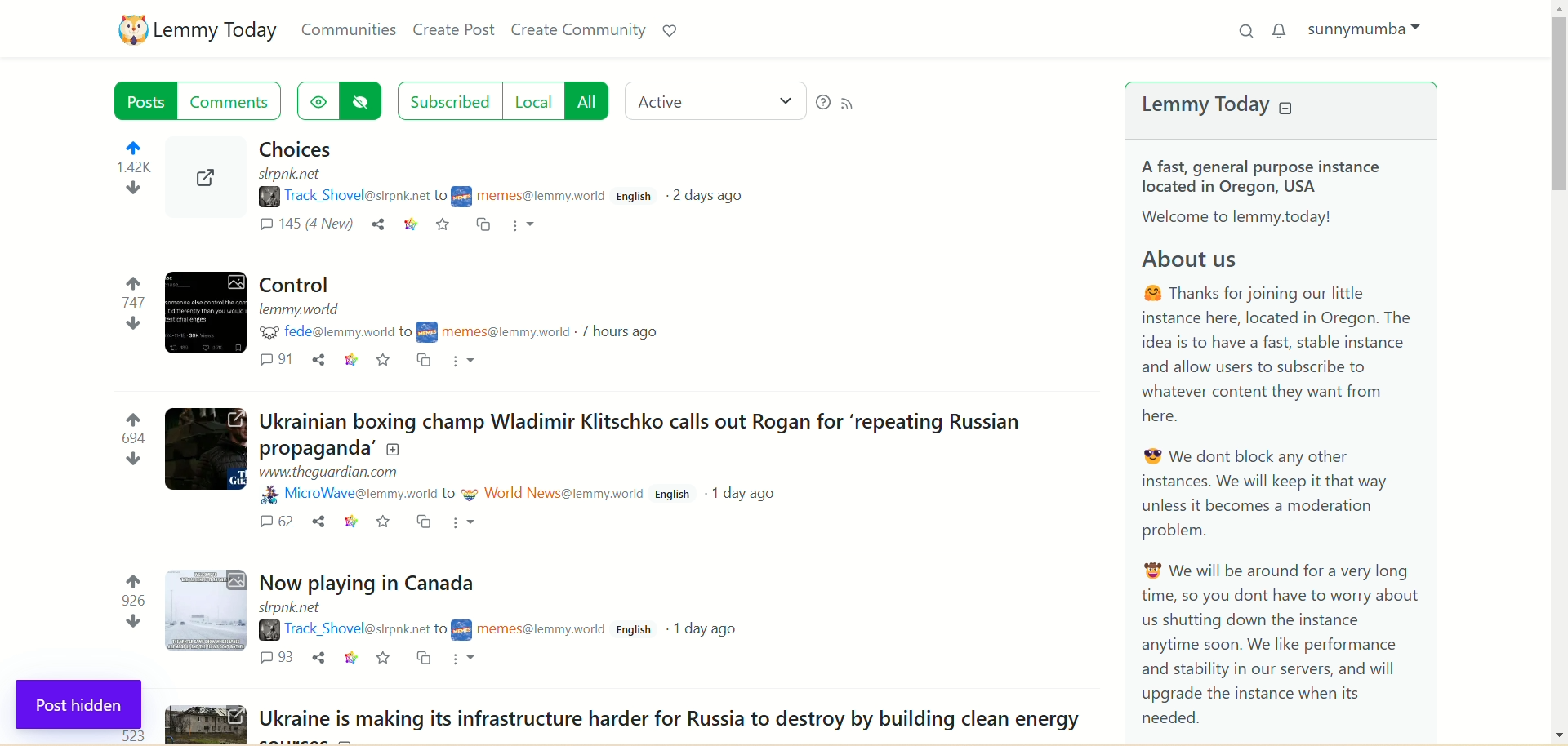 The width and height of the screenshot is (1568, 746). I want to click on More, so click(469, 660).